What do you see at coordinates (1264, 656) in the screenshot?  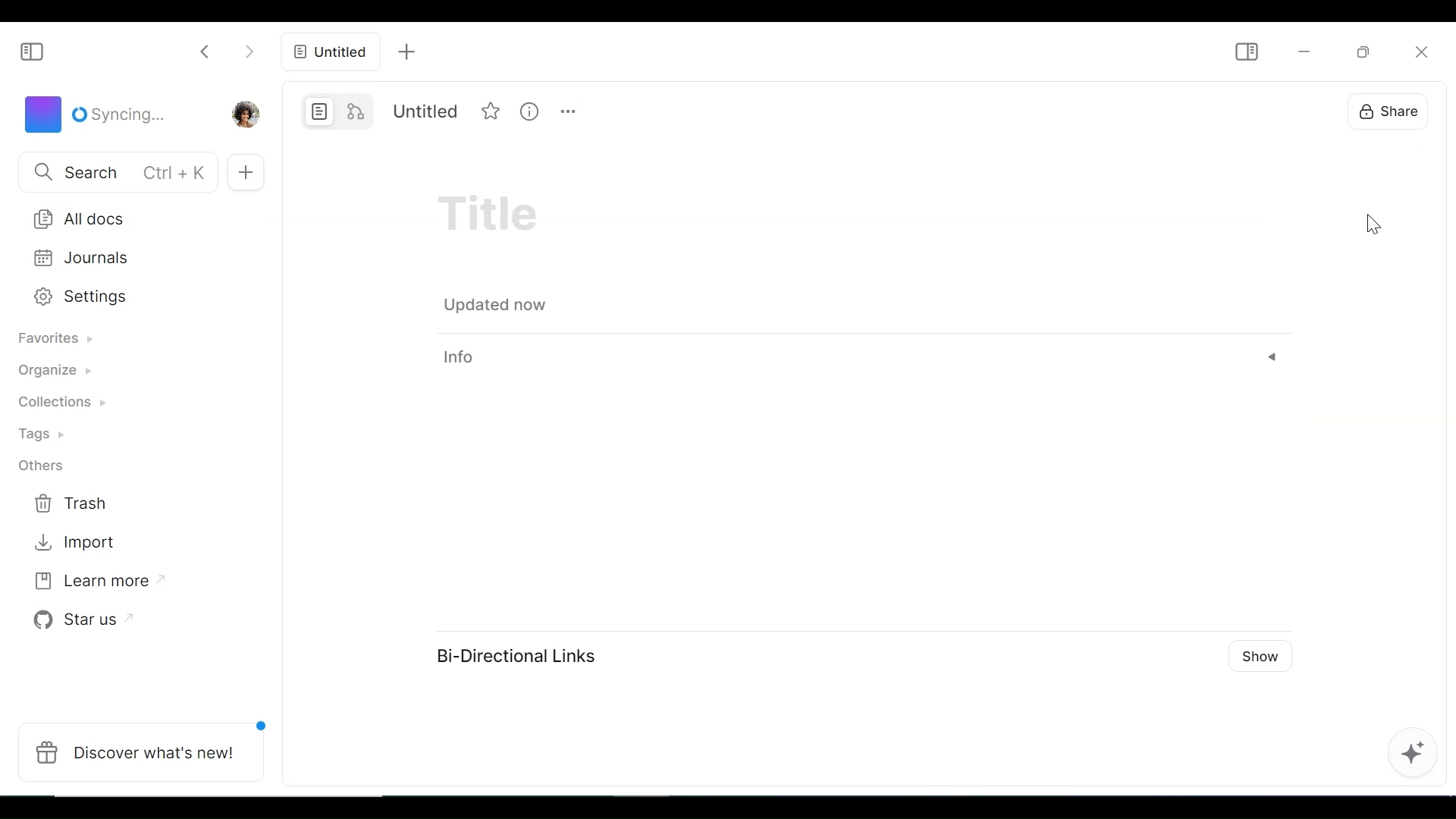 I see `Show` at bounding box center [1264, 656].